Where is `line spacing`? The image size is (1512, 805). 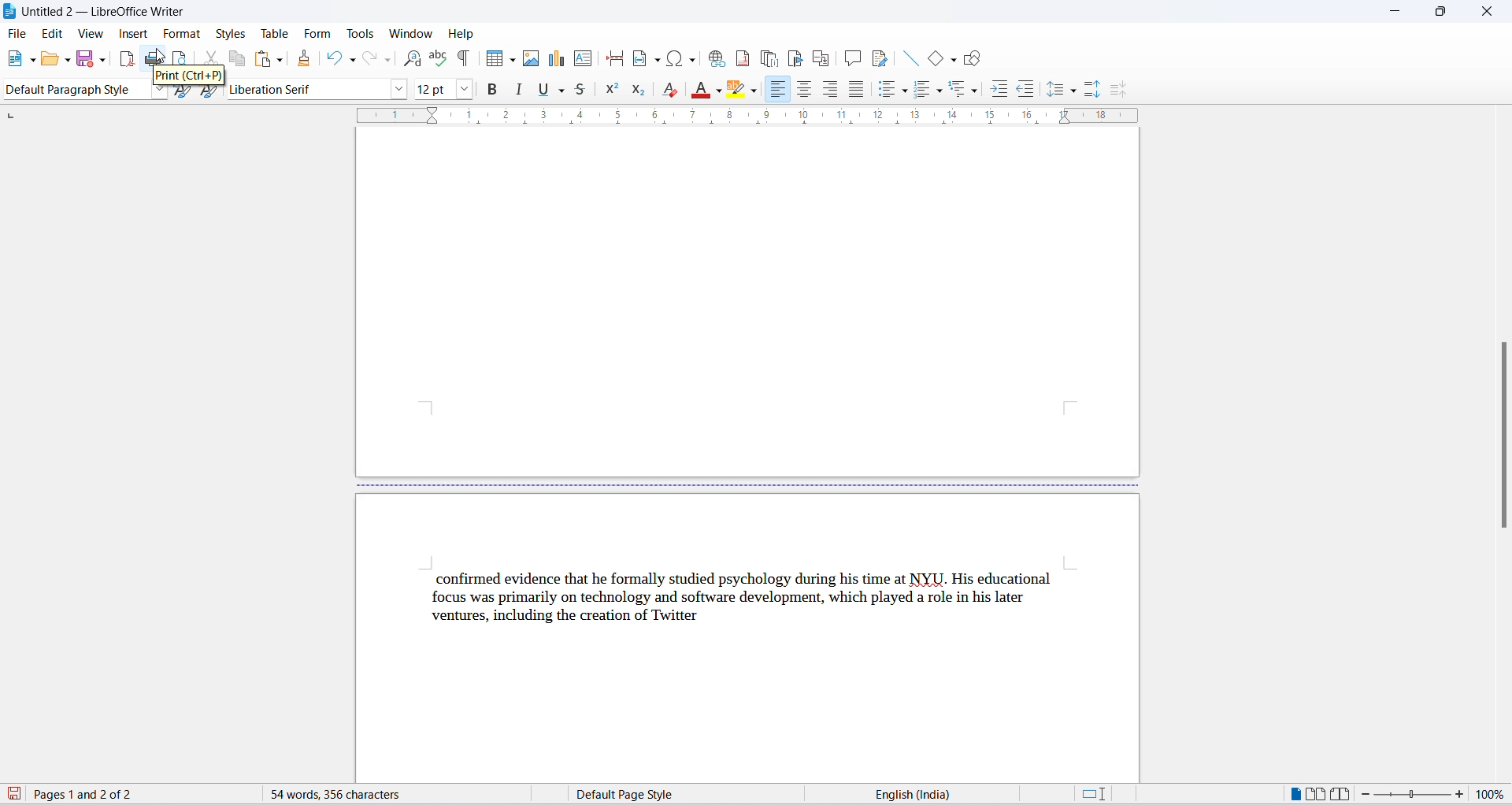 line spacing is located at coordinates (1054, 90).